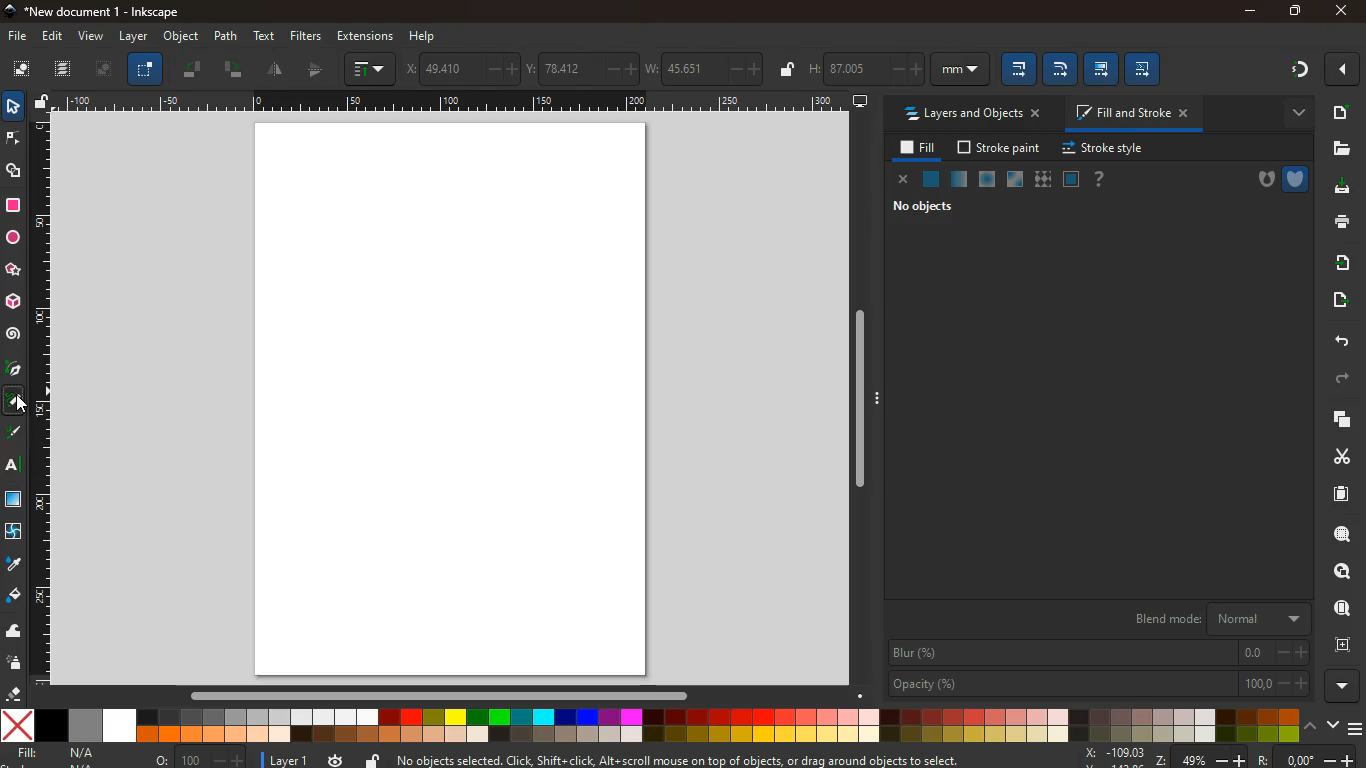  Describe the element at coordinates (1106, 149) in the screenshot. I see `stroke style` at that location.